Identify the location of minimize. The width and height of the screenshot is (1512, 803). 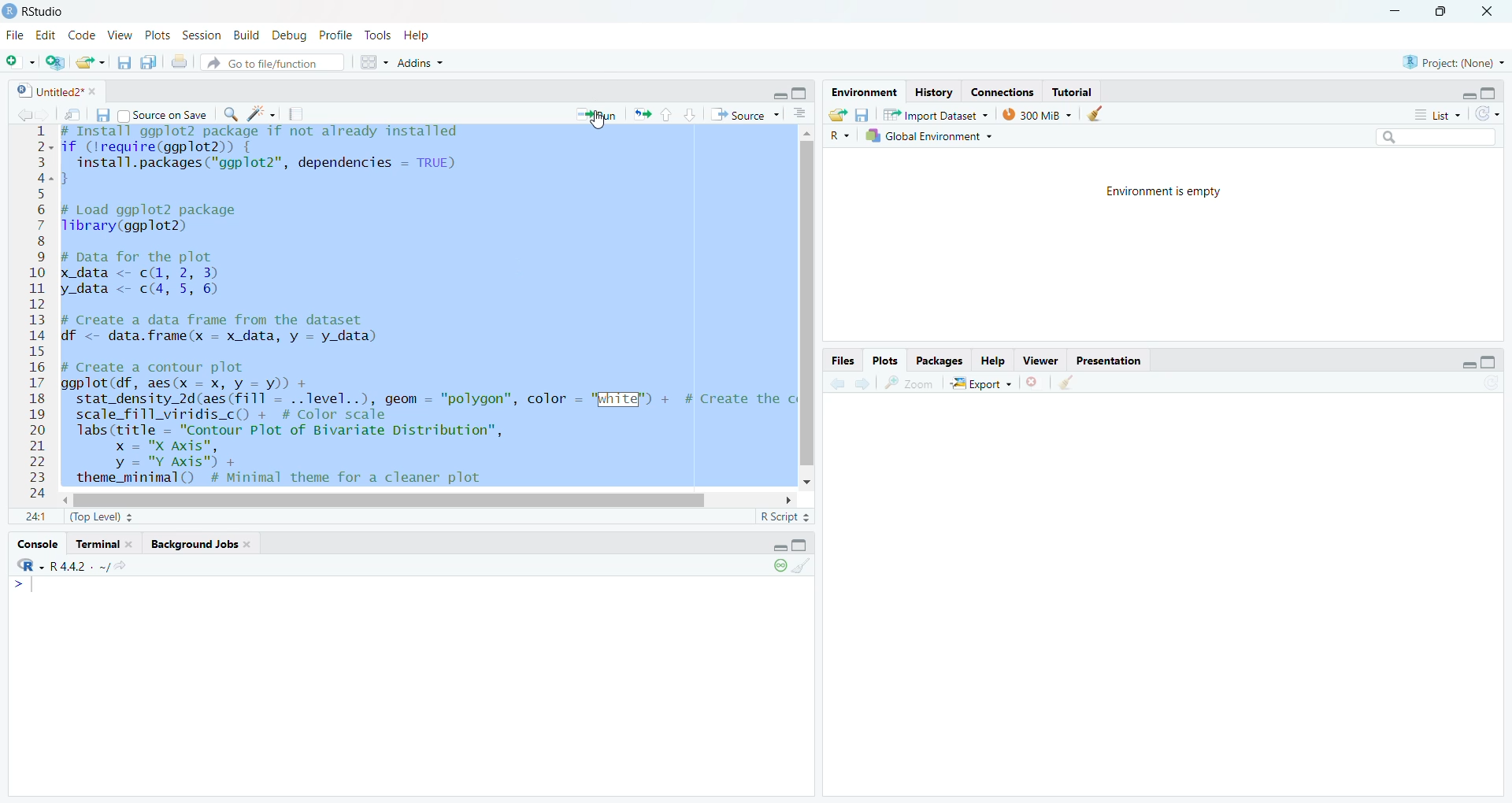
(1398, 13).